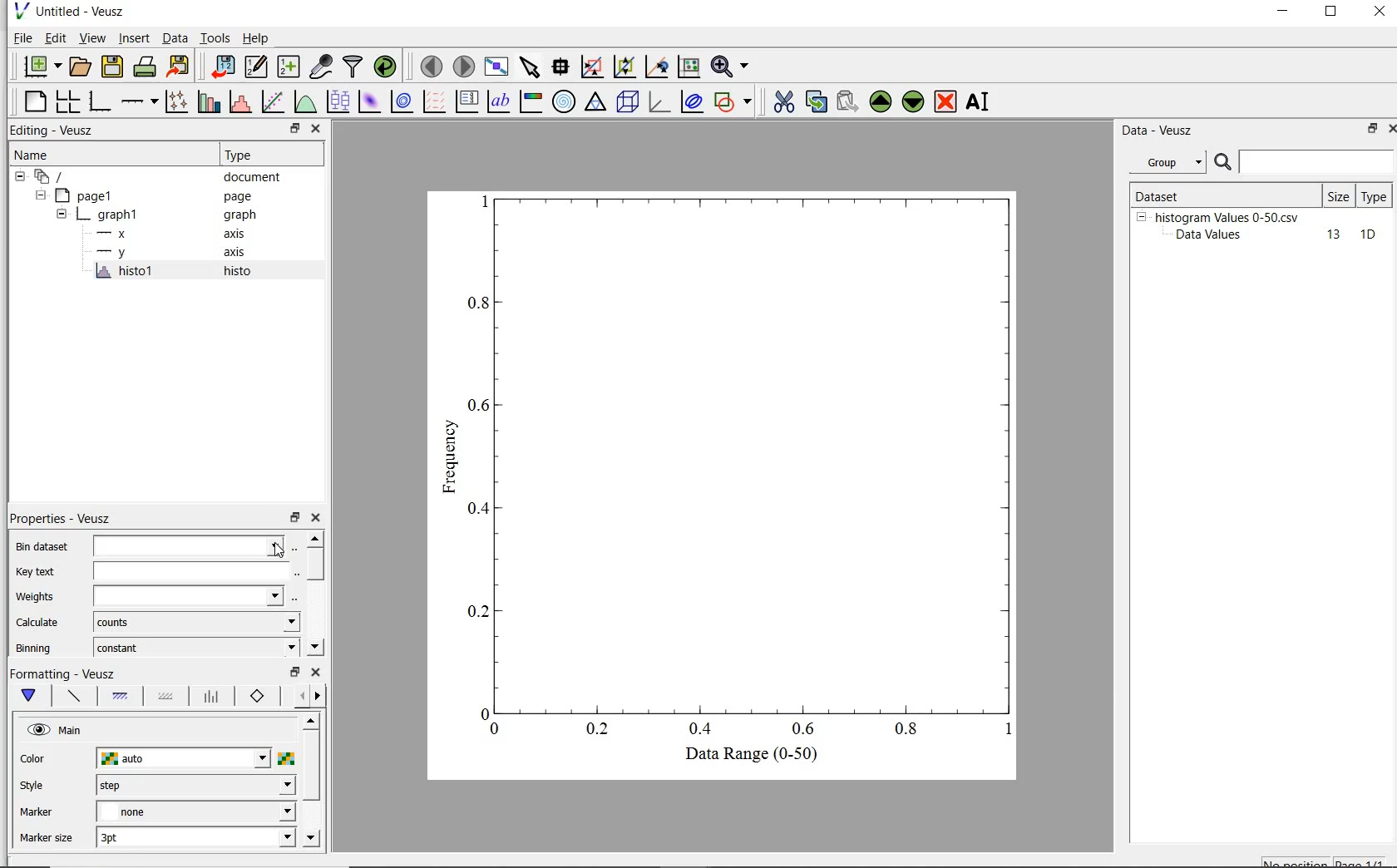  Describe the element at coordinates (36, 787) in the screenshot. I see `Style` at that location.